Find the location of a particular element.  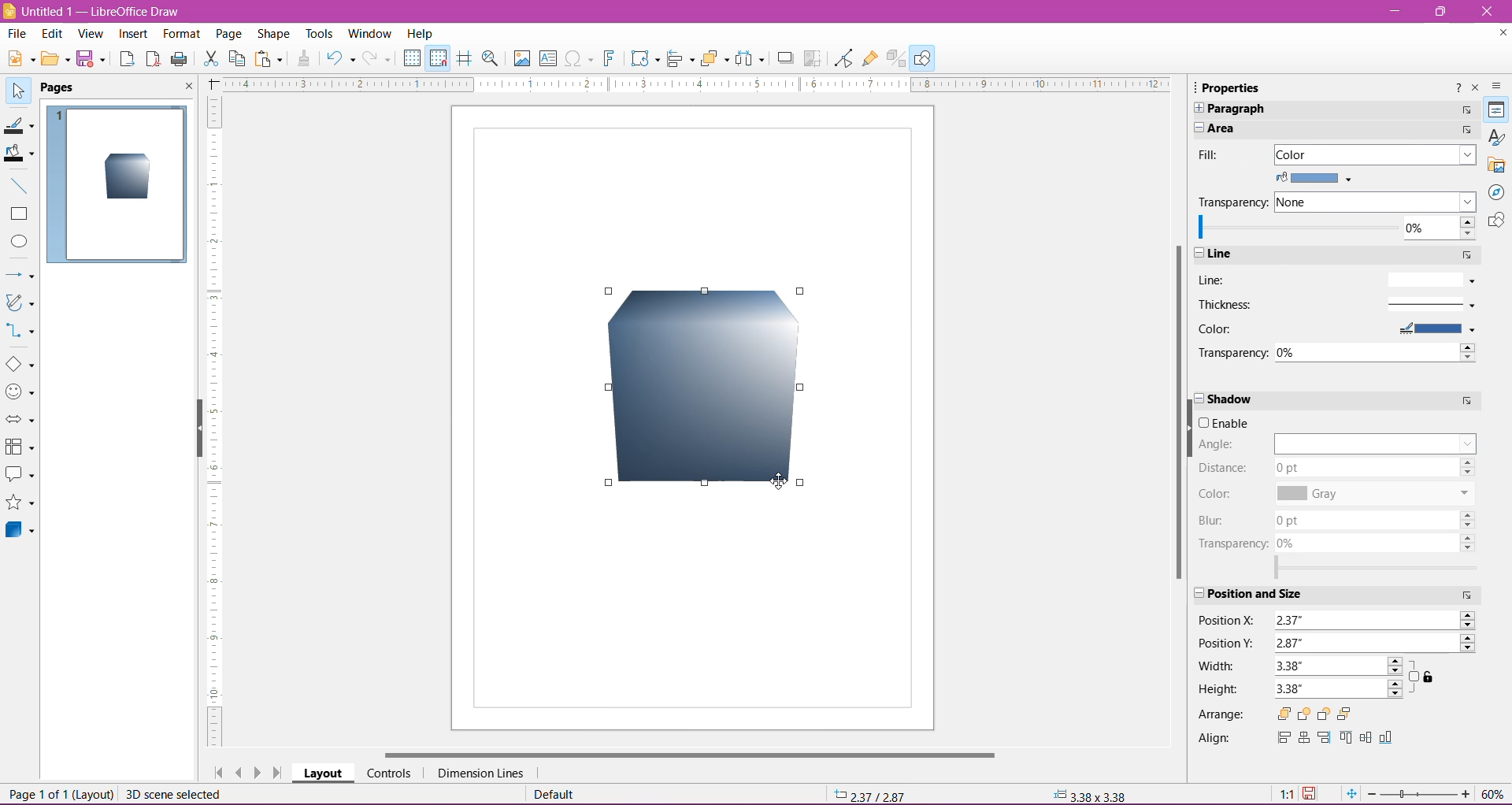

Shadow is located at coordinates (1315, 400).